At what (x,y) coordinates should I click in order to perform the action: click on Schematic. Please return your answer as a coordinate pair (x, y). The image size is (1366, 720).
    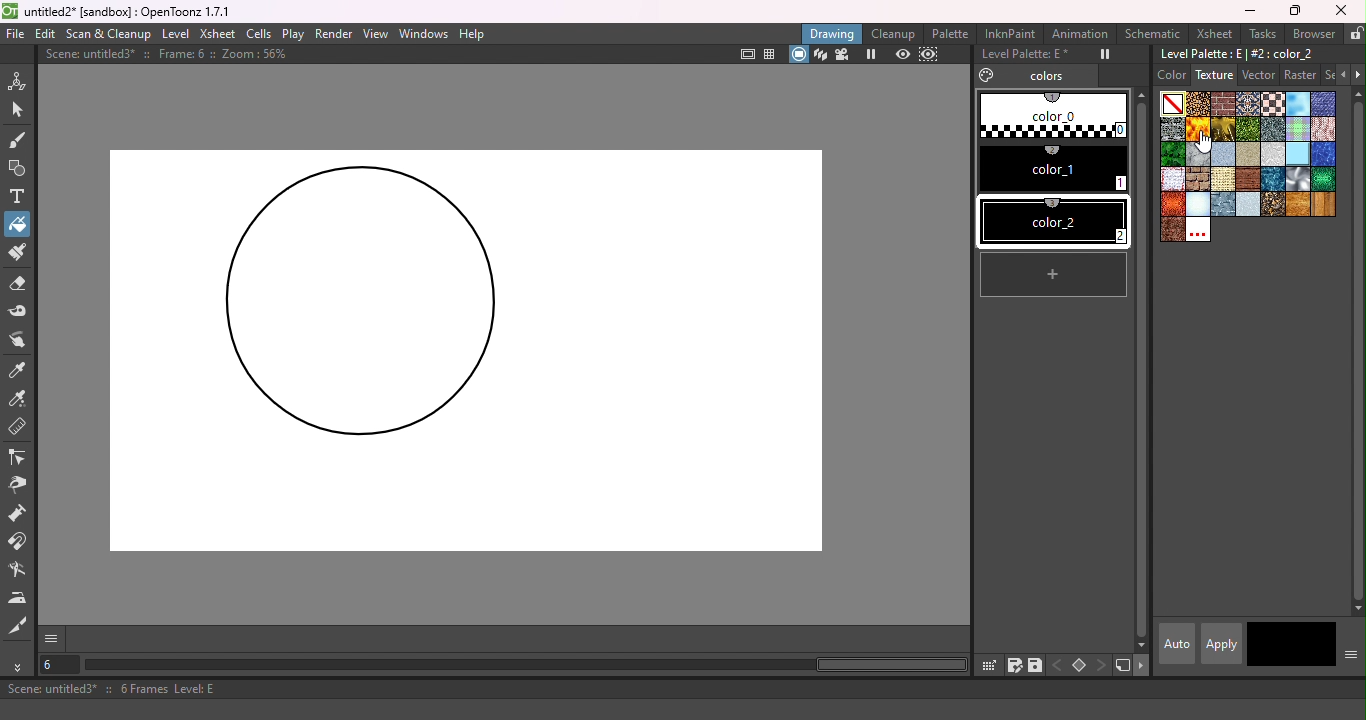
    Looking at the image, I should click on (1151, 34).